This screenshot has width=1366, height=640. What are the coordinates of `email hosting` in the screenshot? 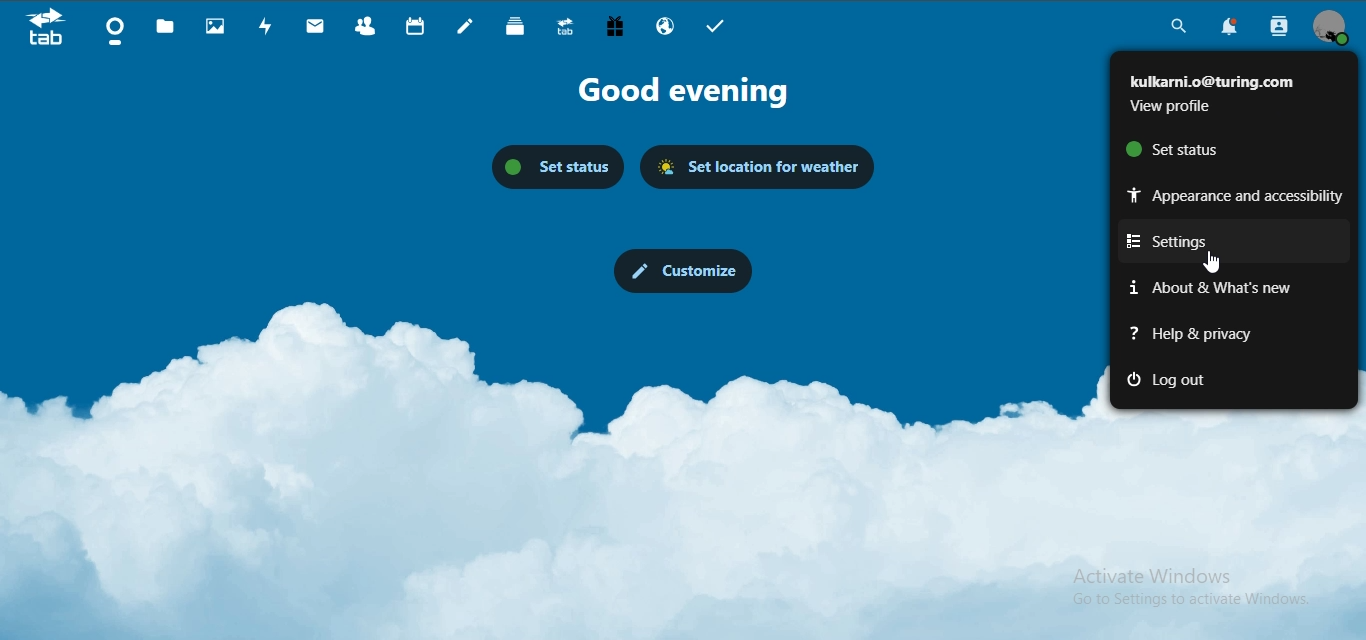 It's located at (668, 28).